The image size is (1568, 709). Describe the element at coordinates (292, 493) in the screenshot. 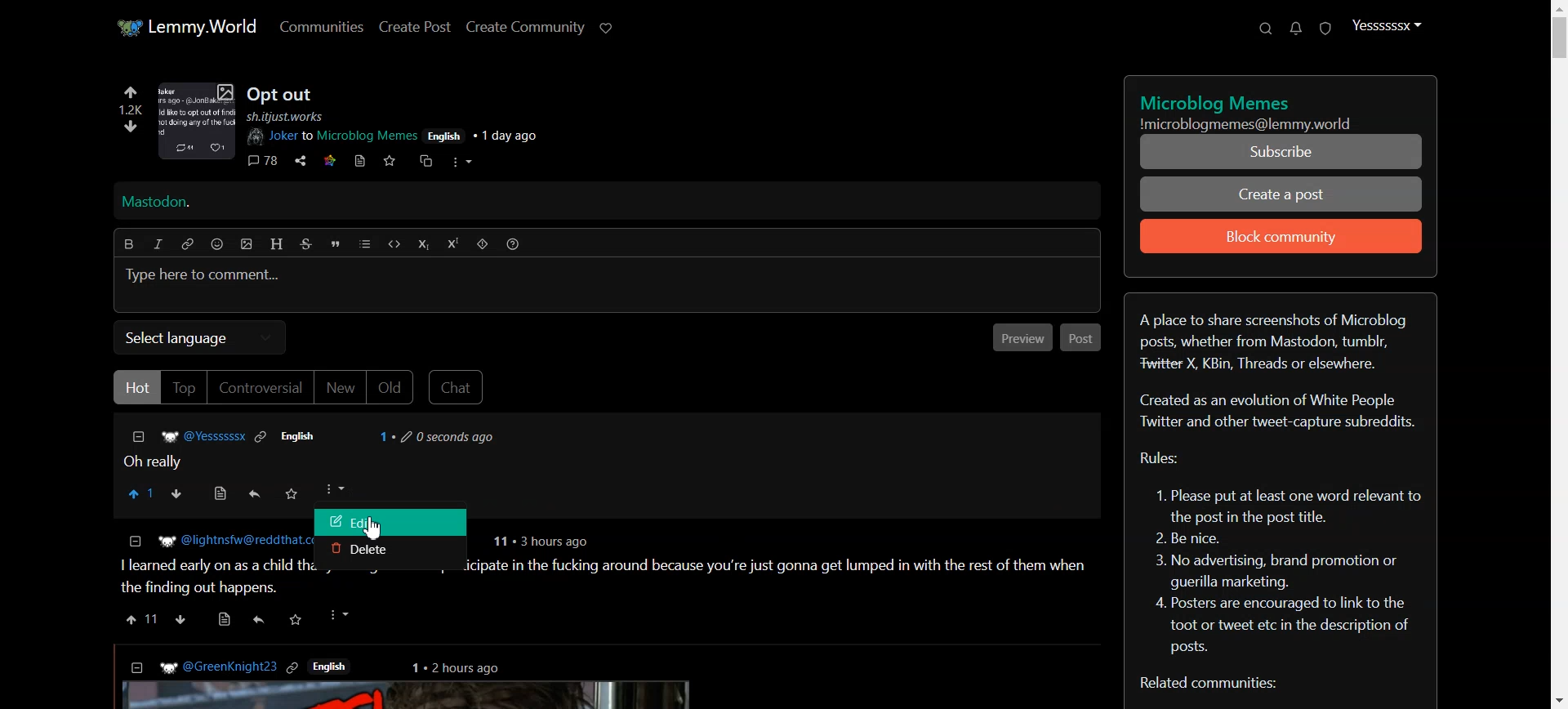

I see `Save ` at that location.